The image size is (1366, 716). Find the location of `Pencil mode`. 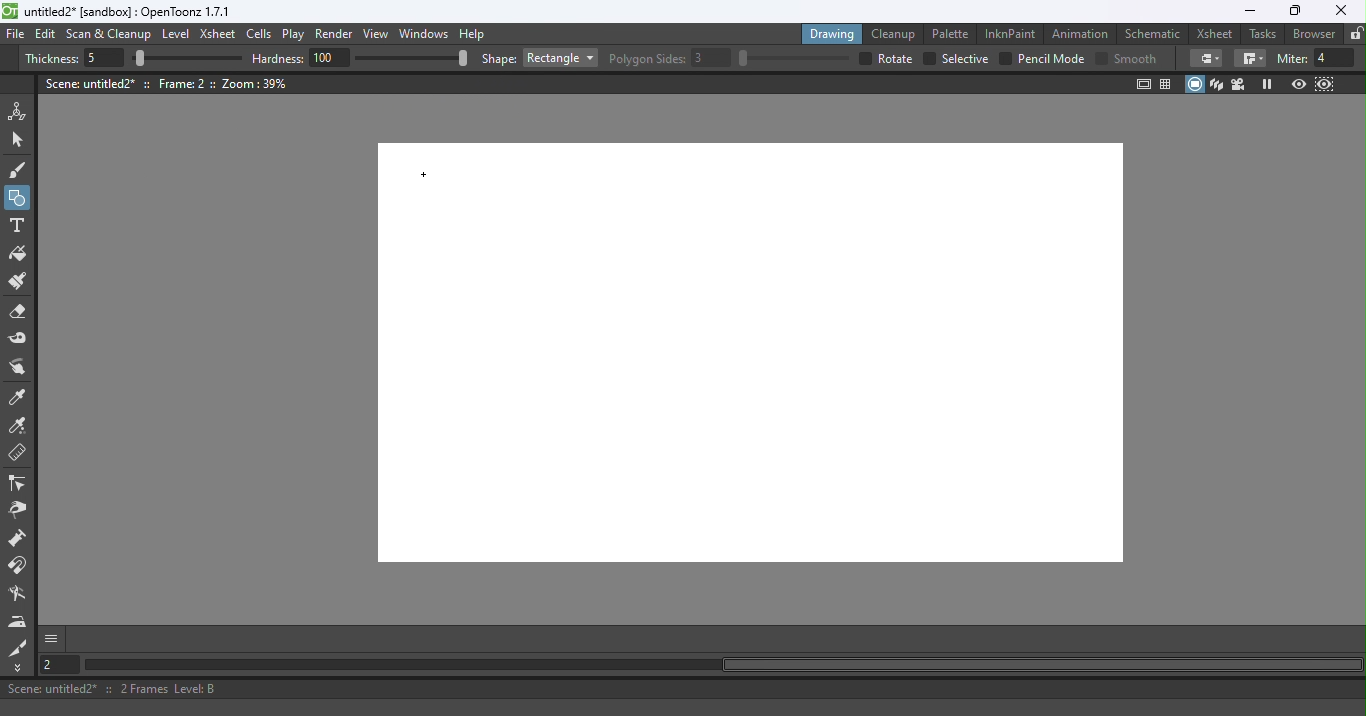

Pencil mode is located at coordinates (1050, 59).